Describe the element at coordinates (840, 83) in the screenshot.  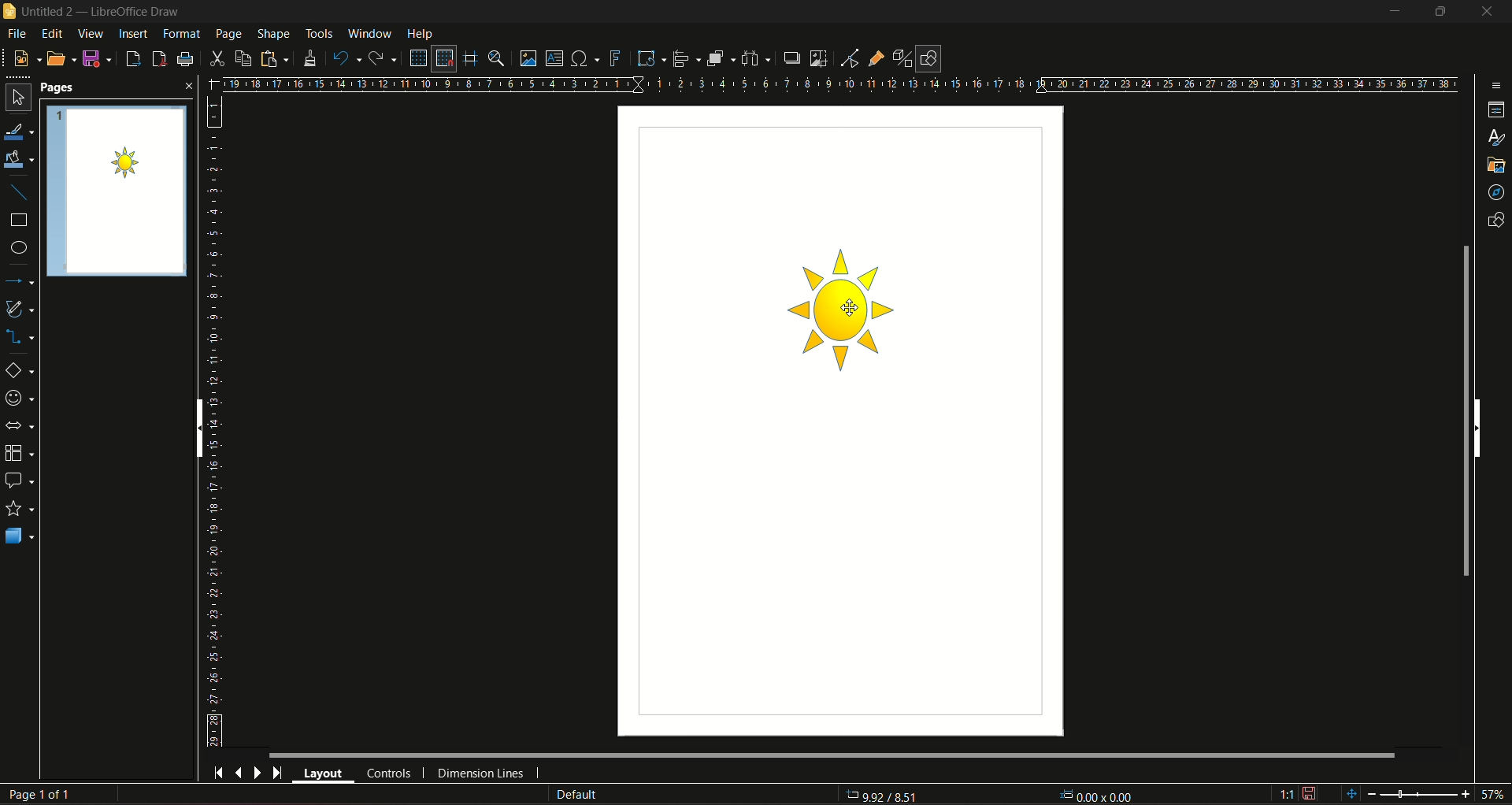
I see `horizontal scale` at that location.